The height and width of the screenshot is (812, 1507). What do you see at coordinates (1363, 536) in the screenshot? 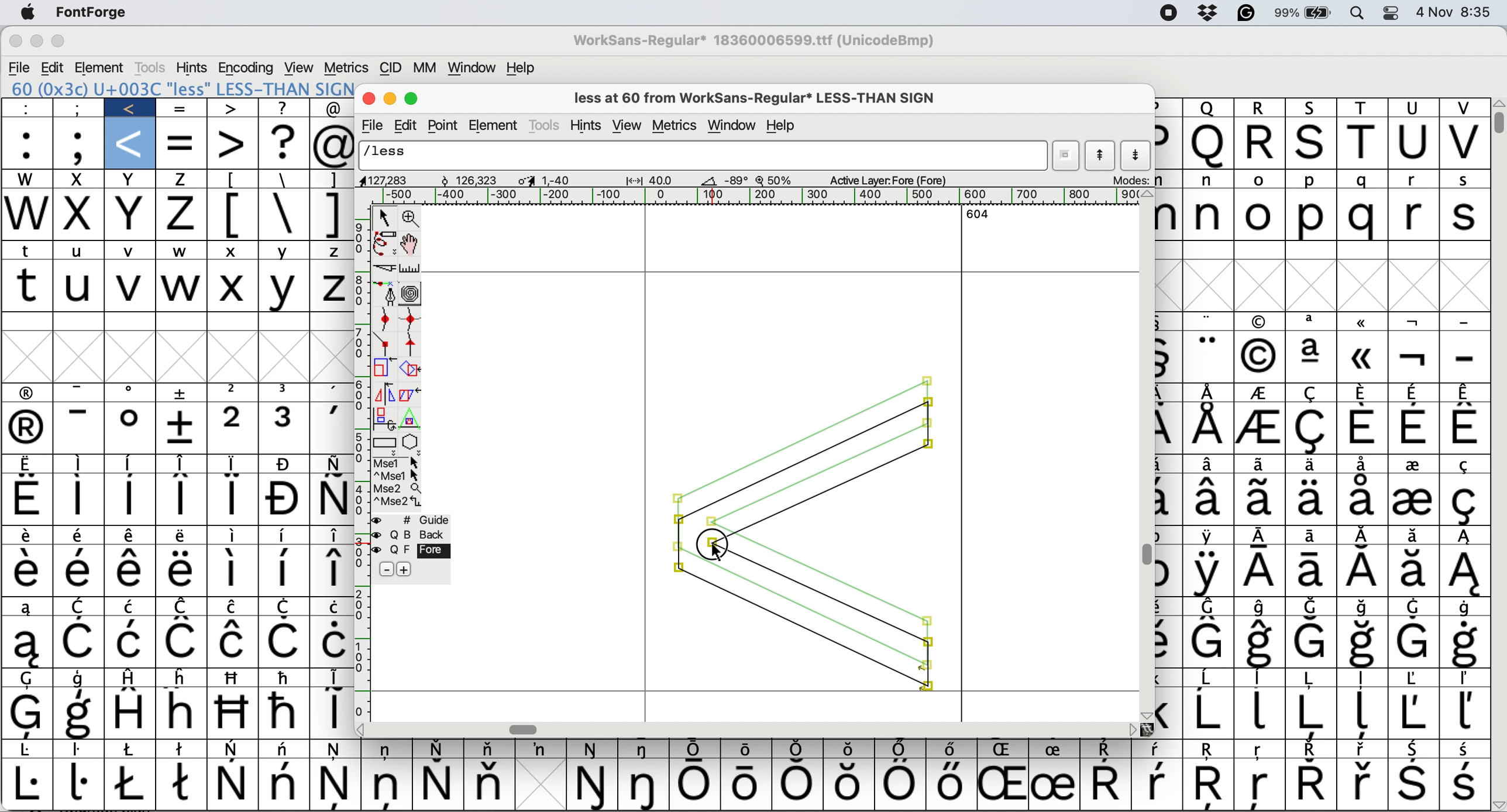
I see `Symbol` at bounding box center [1363, 536].